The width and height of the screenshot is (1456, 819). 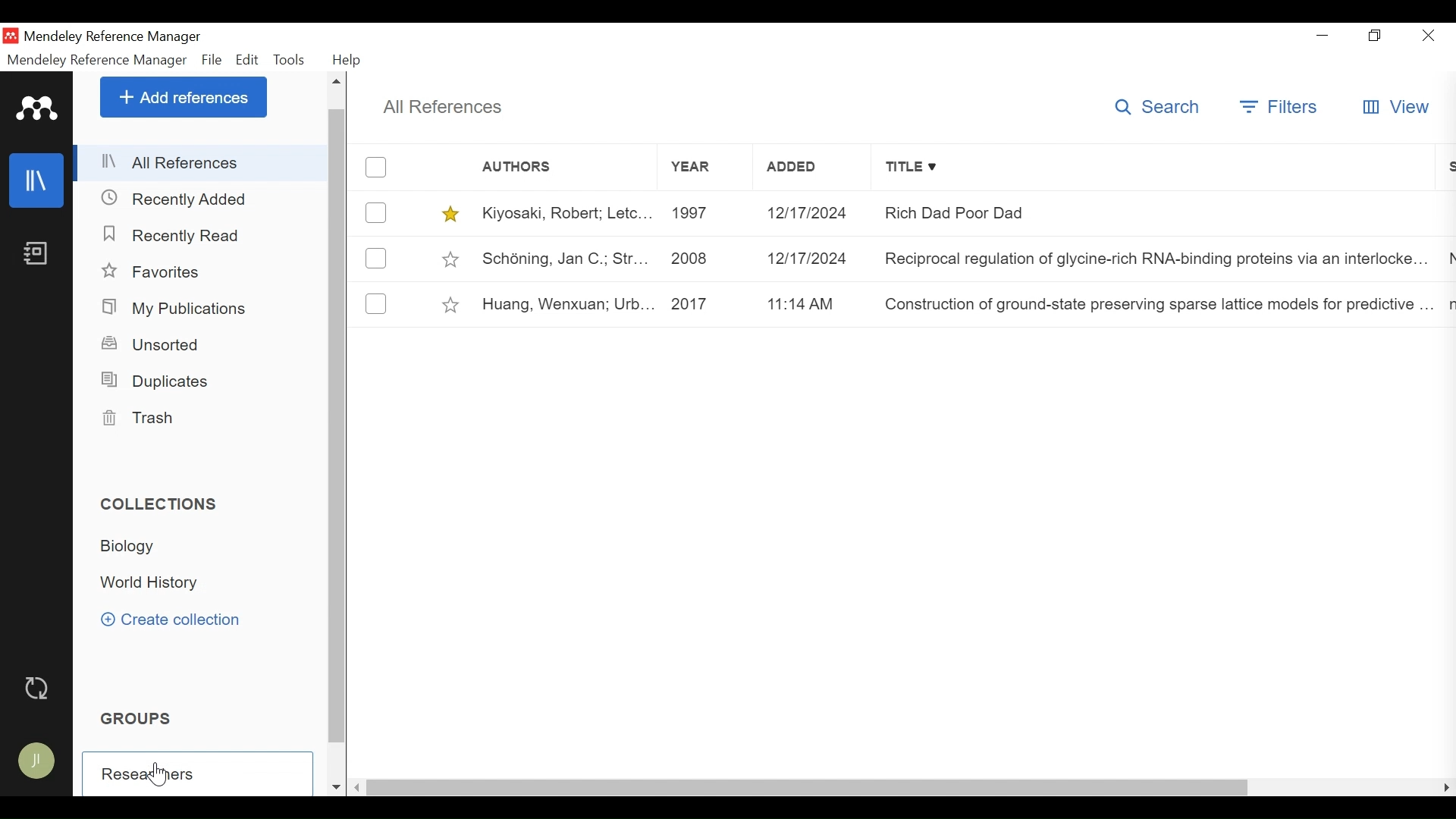 What do you see at coordinates (1323, 33) in the screenshot?
I see `minimize` at bounding box center [1323, 33].